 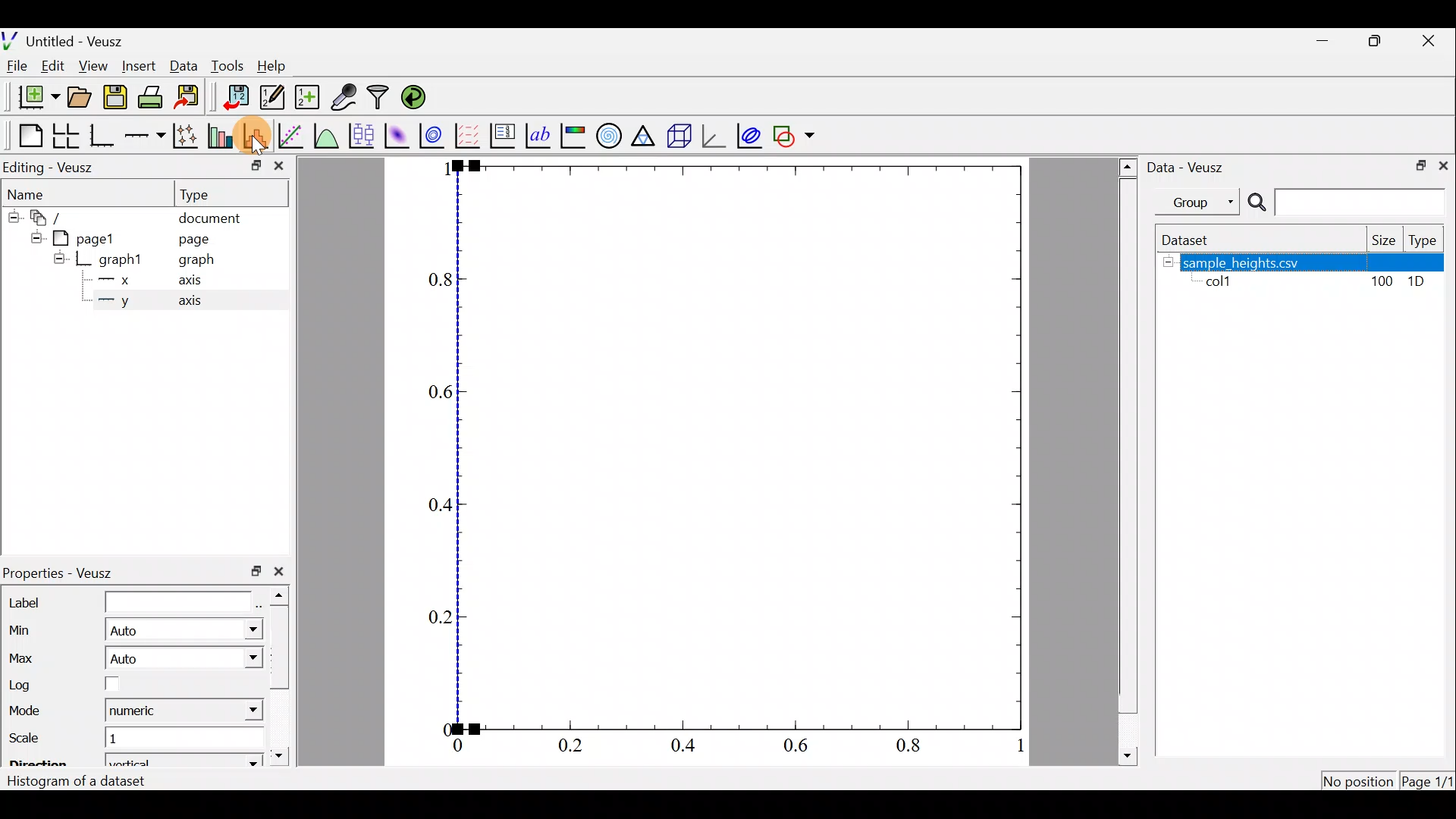 What do you see at coordinates (431, 618) in the screenshot?
I see `0.2` at bounding box center [431, 618].